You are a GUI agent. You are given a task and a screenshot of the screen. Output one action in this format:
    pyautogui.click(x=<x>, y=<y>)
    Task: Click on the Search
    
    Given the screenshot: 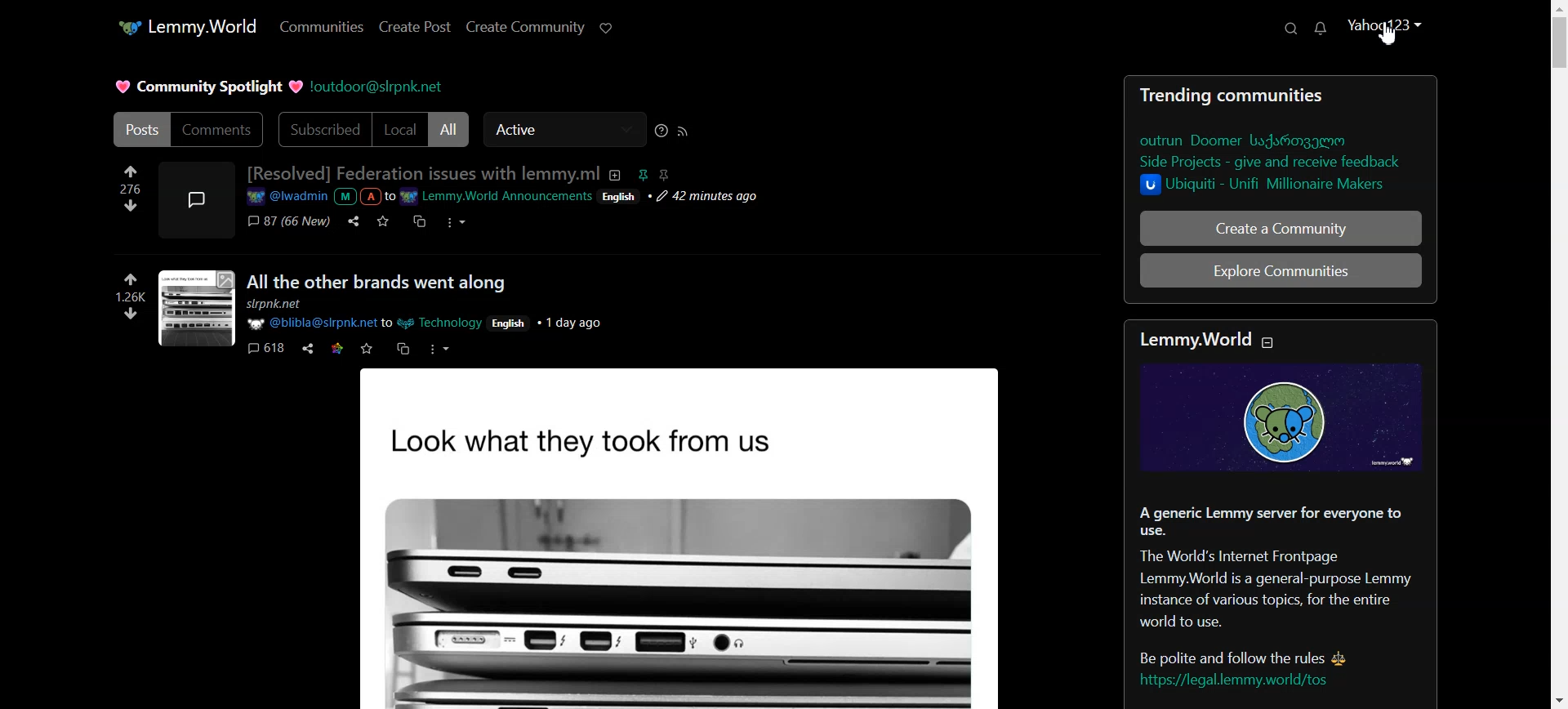 What is the action you would take?
    pyautogui.click(x=1289, y=28)
    